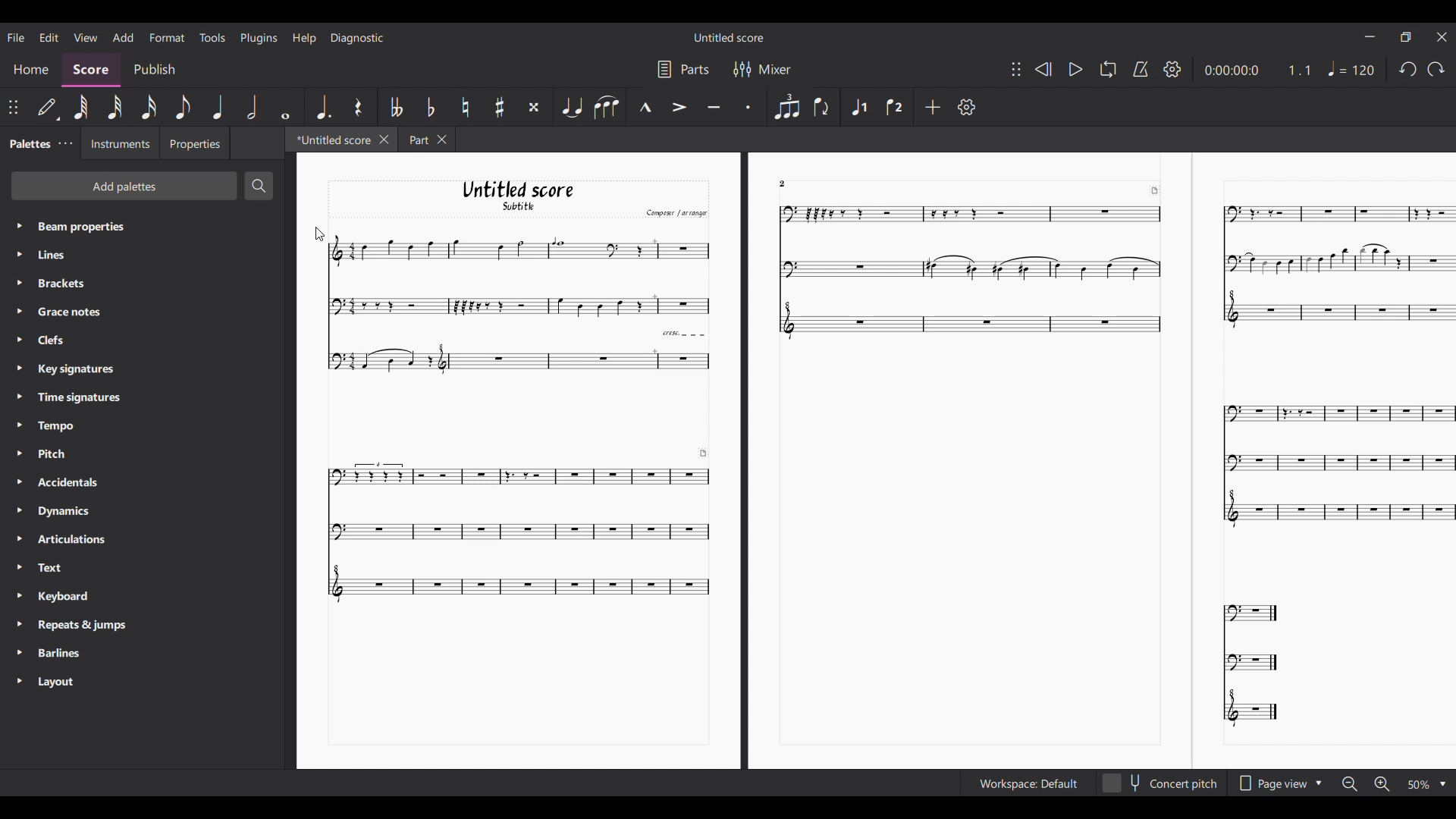 Image resolution: width=1456 pixels, height=819 pixels. I want to click on Tempo, so click(1354, 68).